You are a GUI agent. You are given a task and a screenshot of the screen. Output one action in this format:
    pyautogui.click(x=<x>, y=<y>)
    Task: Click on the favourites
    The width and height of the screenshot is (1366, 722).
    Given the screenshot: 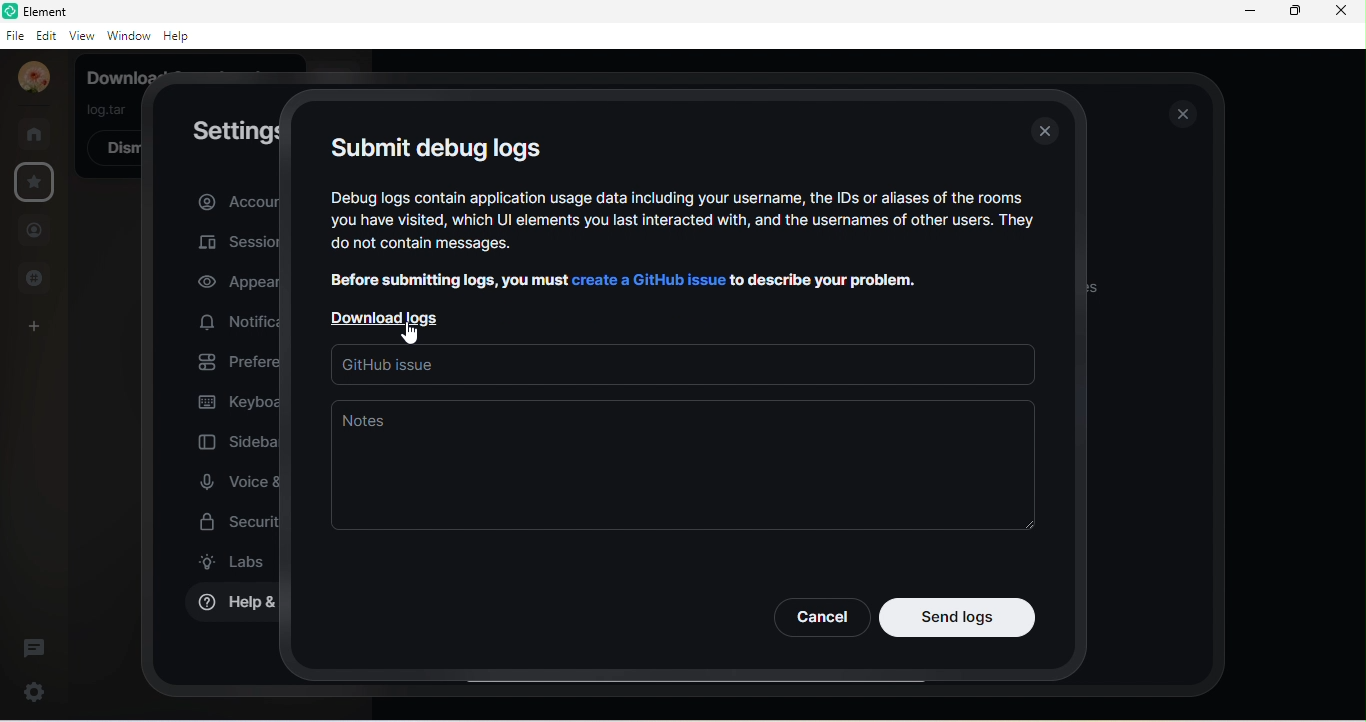 What is the action you would take?
    pyautogui.click(x=40, y=184)
    